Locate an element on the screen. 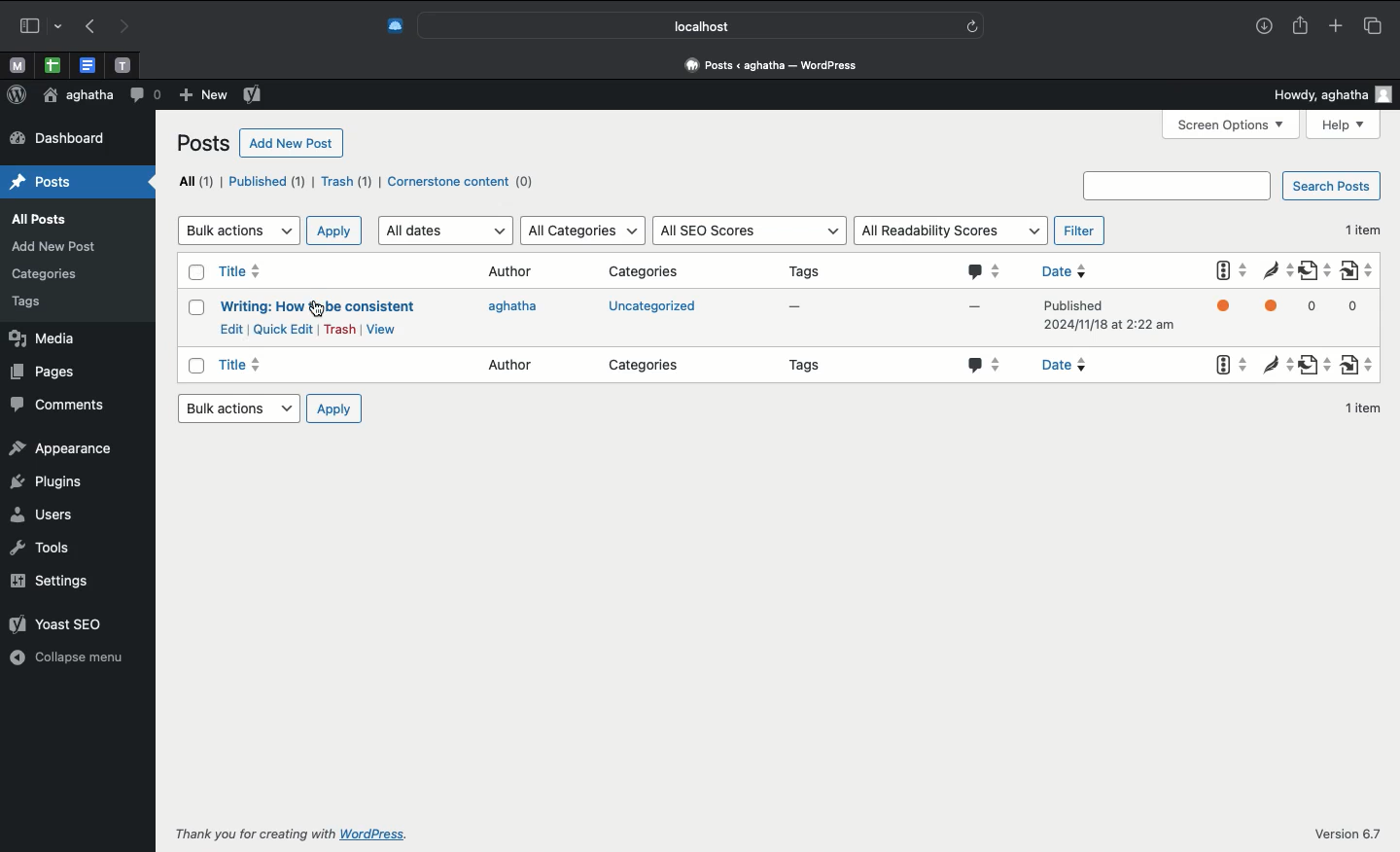 The image size is (1400, 852). All is located at coordinates (192, 181).